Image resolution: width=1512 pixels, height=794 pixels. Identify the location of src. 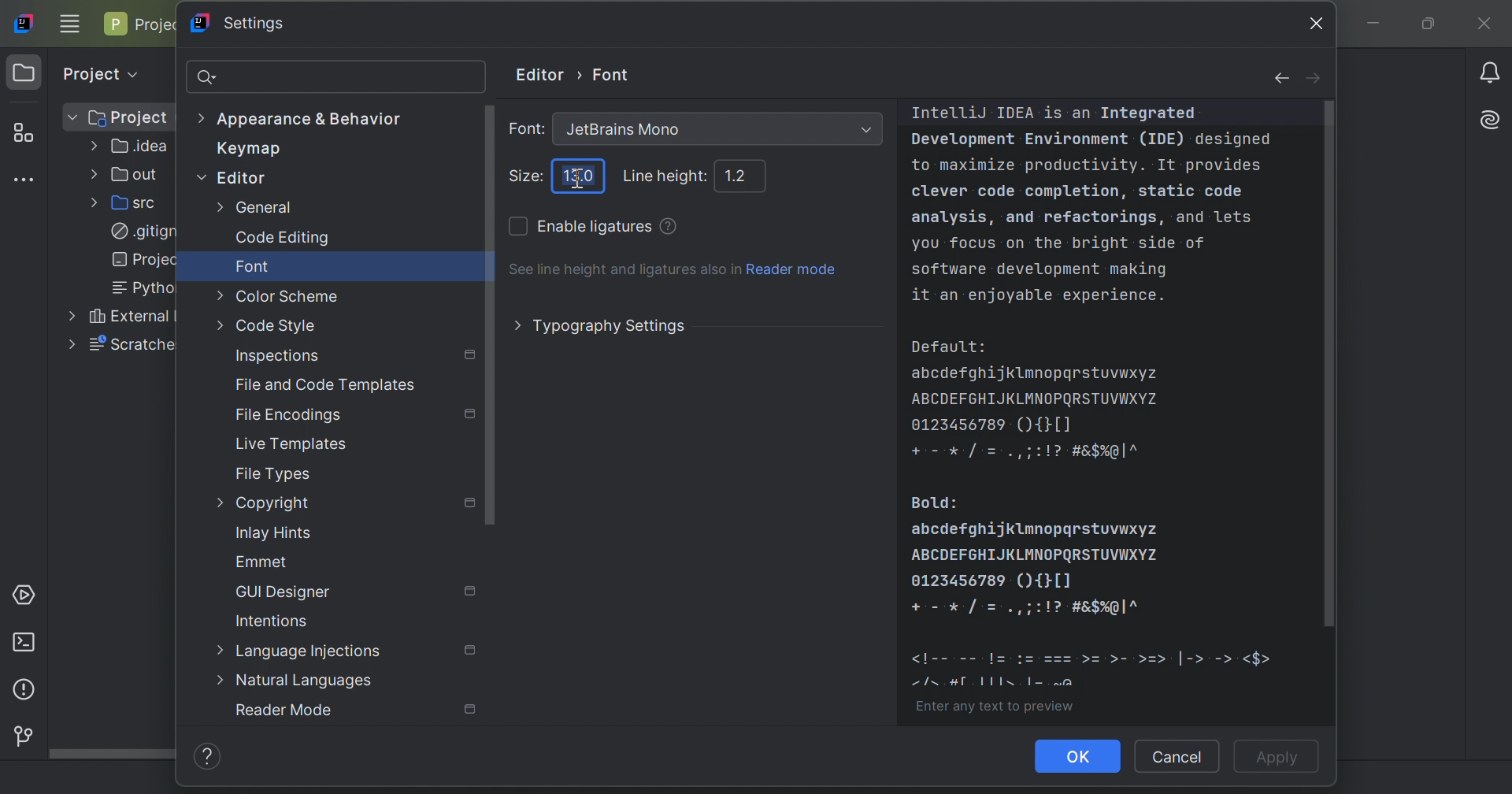
(132, 202).